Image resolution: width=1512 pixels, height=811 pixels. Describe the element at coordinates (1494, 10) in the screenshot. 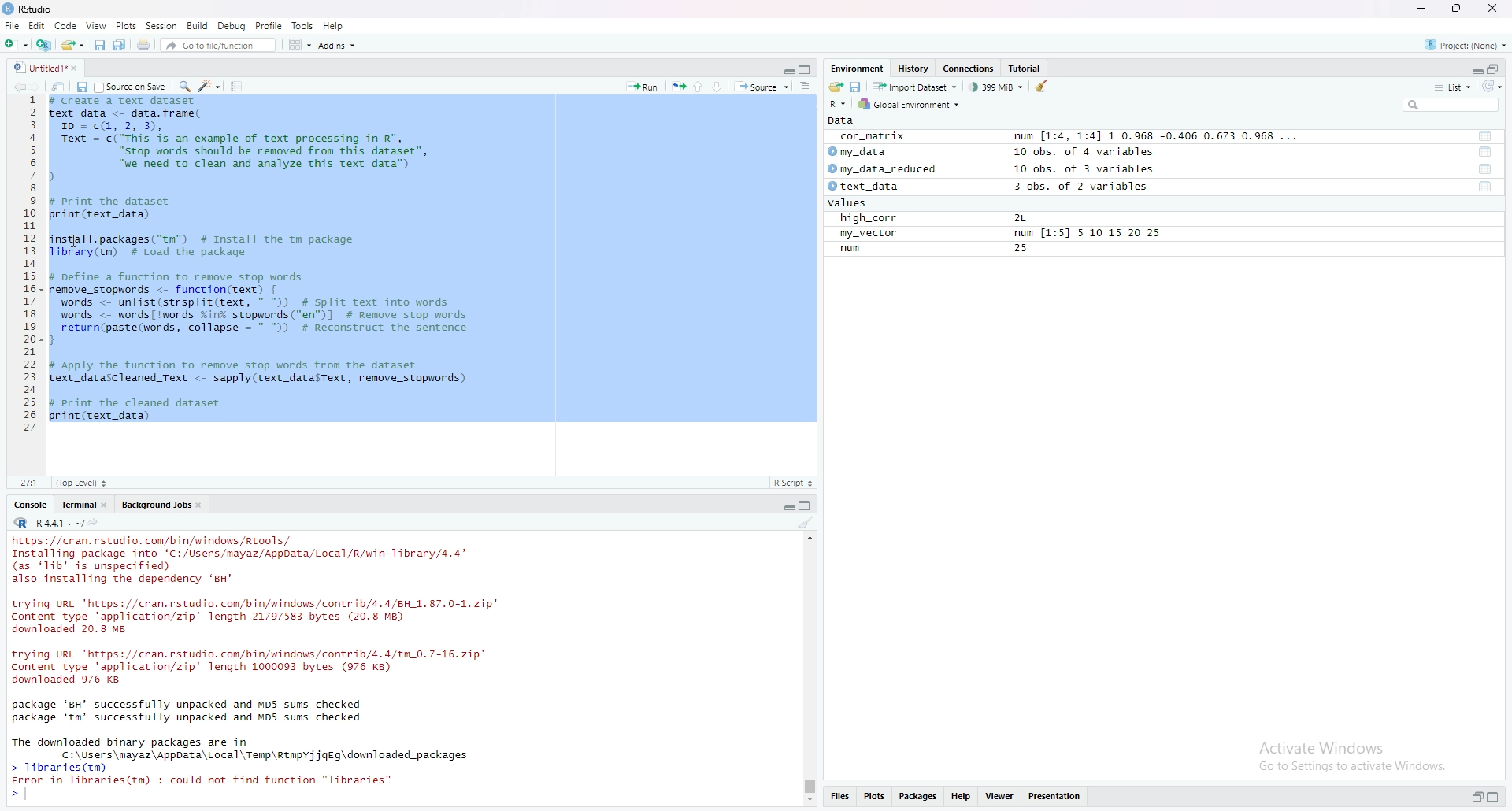

I see `close` at that location.